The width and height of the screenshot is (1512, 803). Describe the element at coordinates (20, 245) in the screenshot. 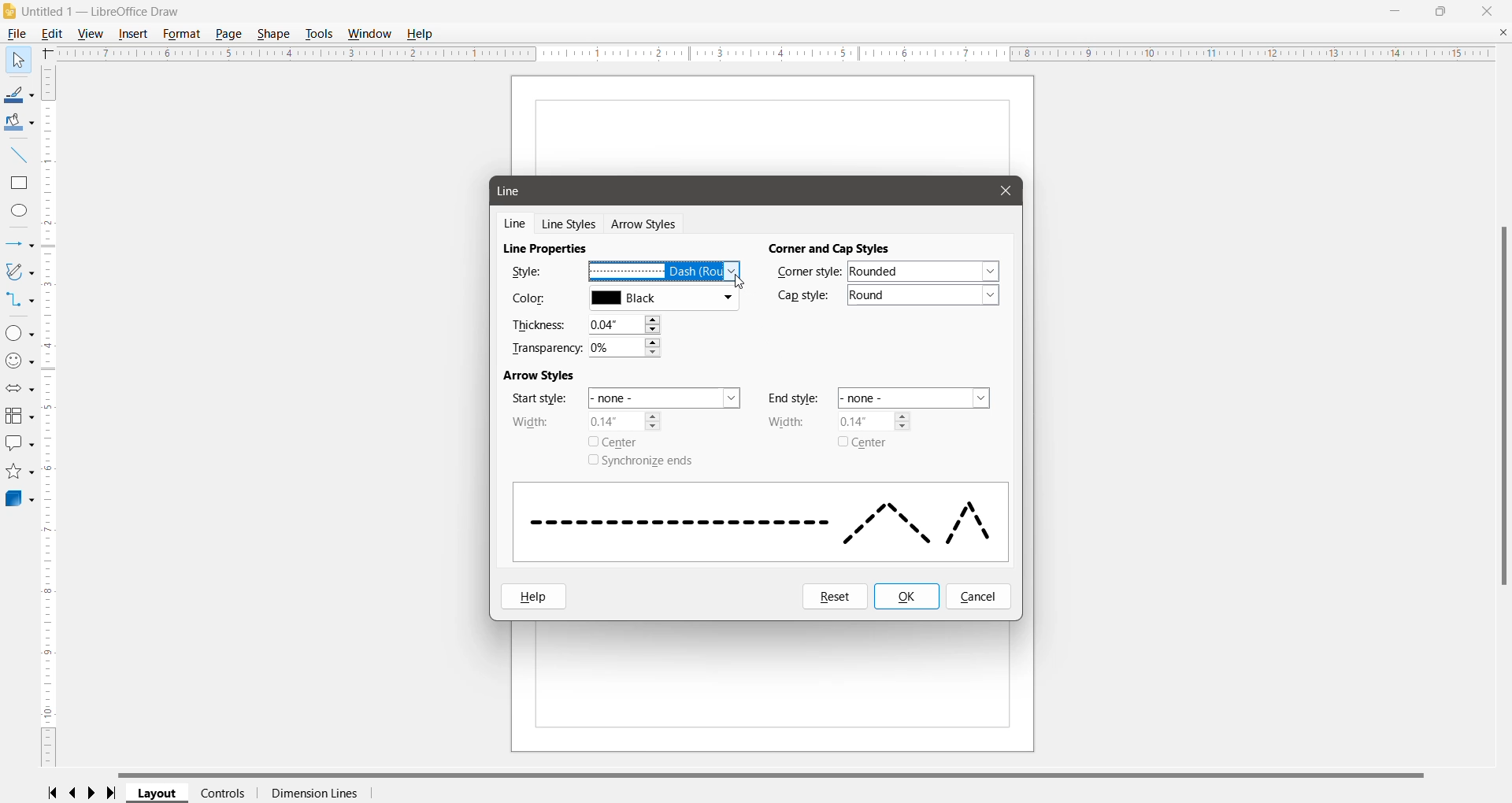

I see `Lines and Arrows` at that location.